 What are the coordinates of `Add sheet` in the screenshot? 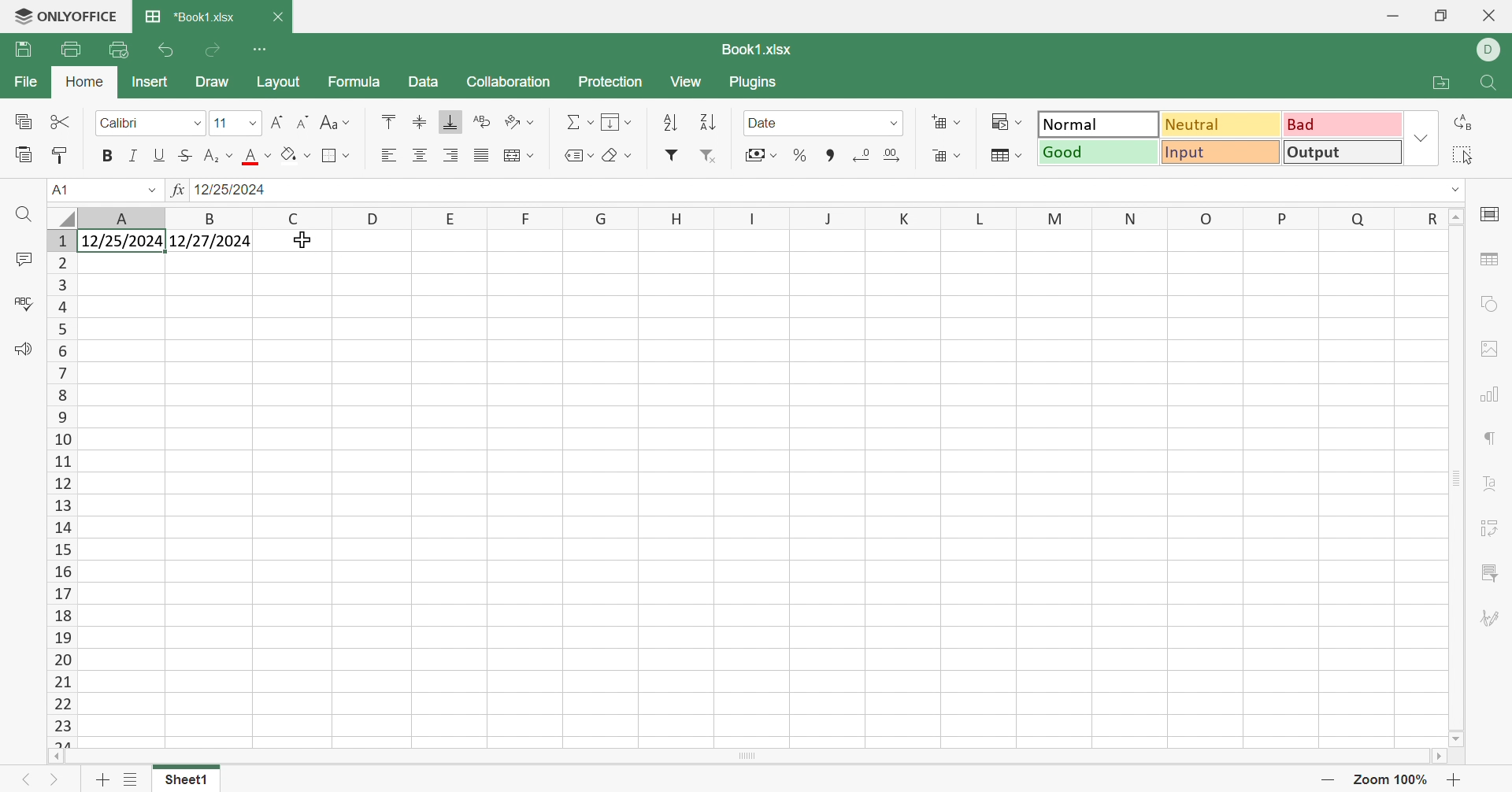 It's located at (102, 780).